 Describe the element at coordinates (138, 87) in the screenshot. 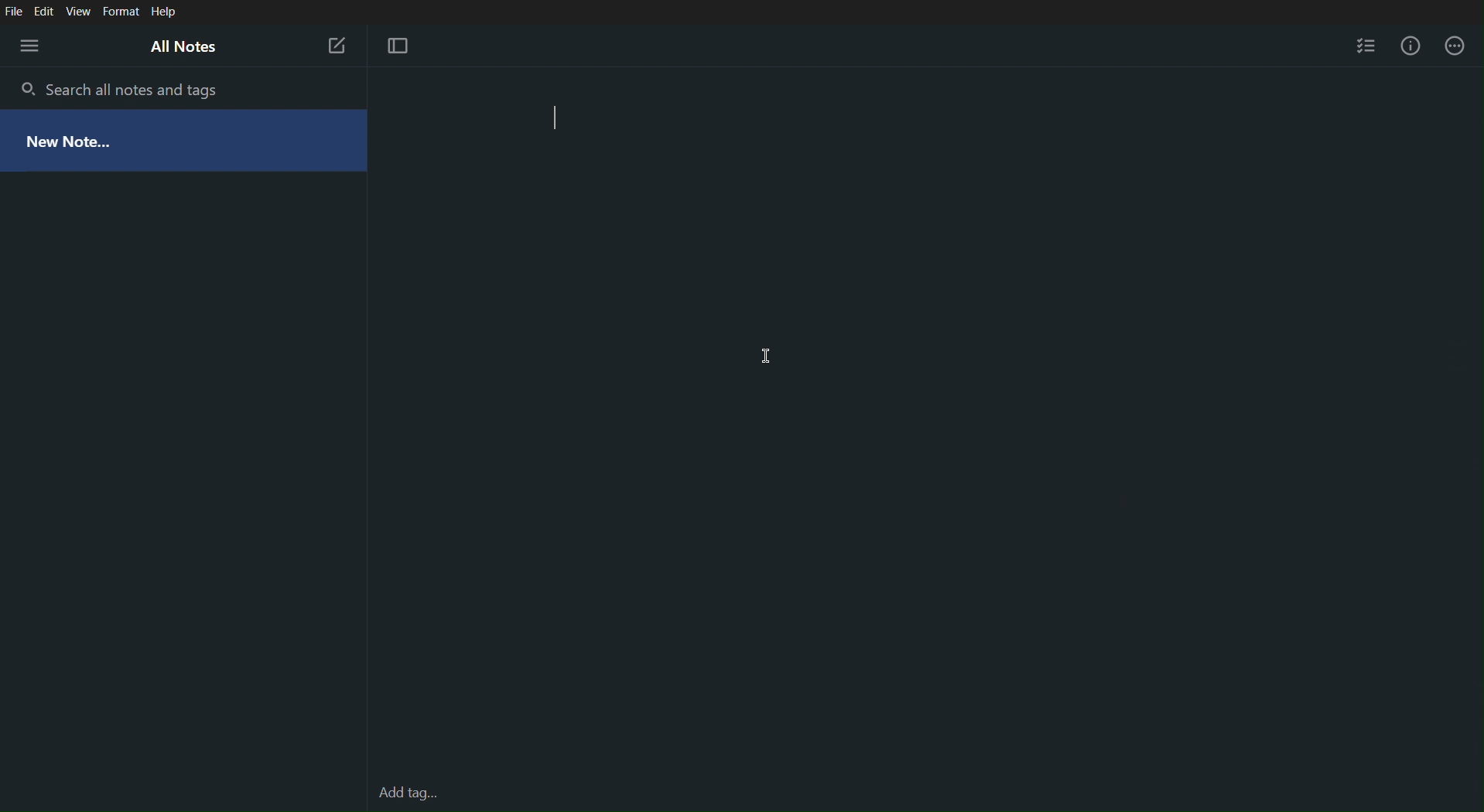

I see `Search all notes and tags` at that location.